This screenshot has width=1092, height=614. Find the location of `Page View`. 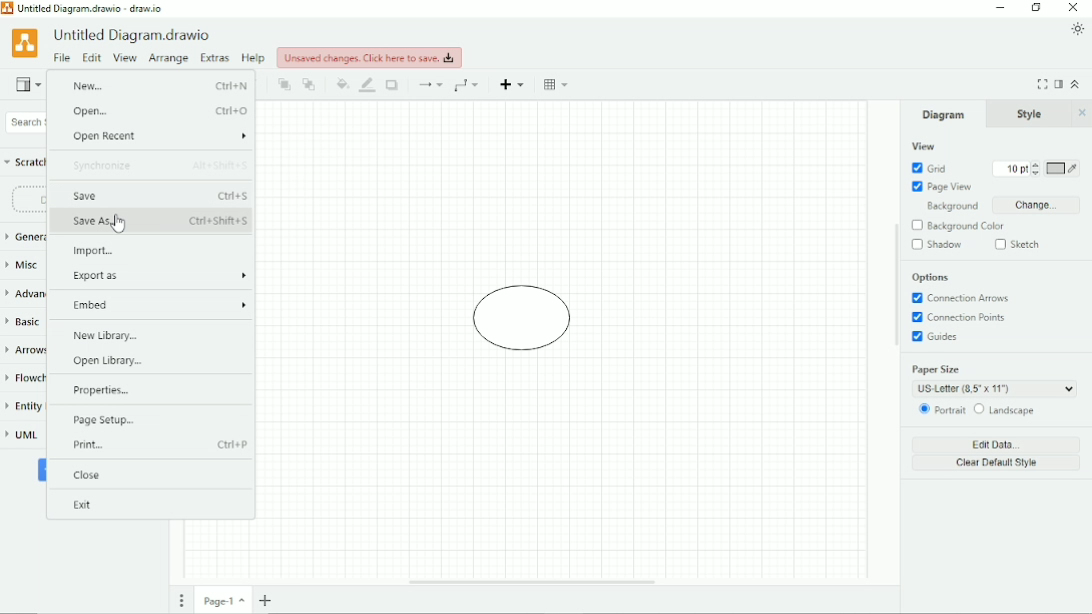

Page View is located at coordinates (941, 186).